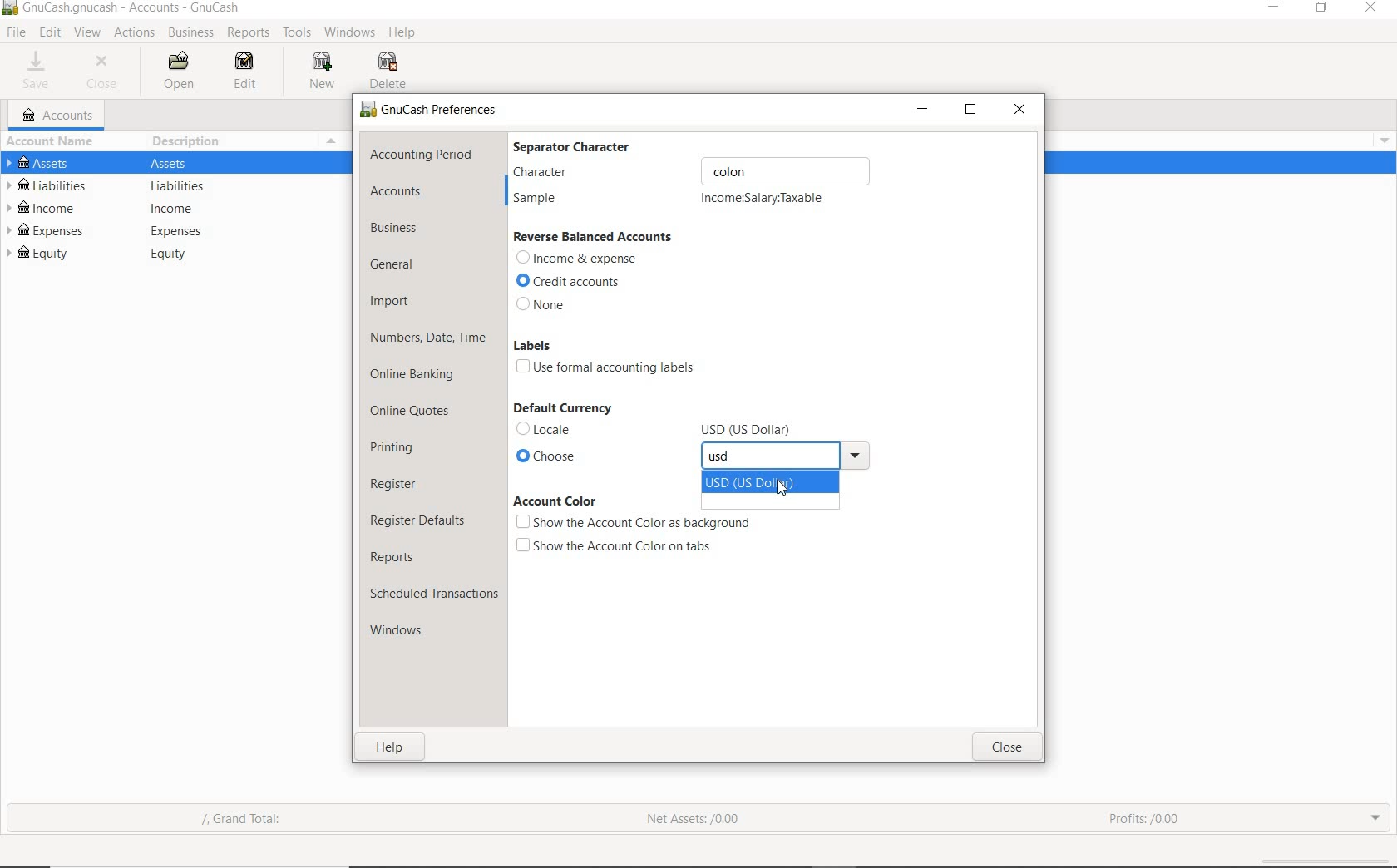 The width and height of the screenshot is (1397, 868). I want to click on credit accounts, so click(573, 282).